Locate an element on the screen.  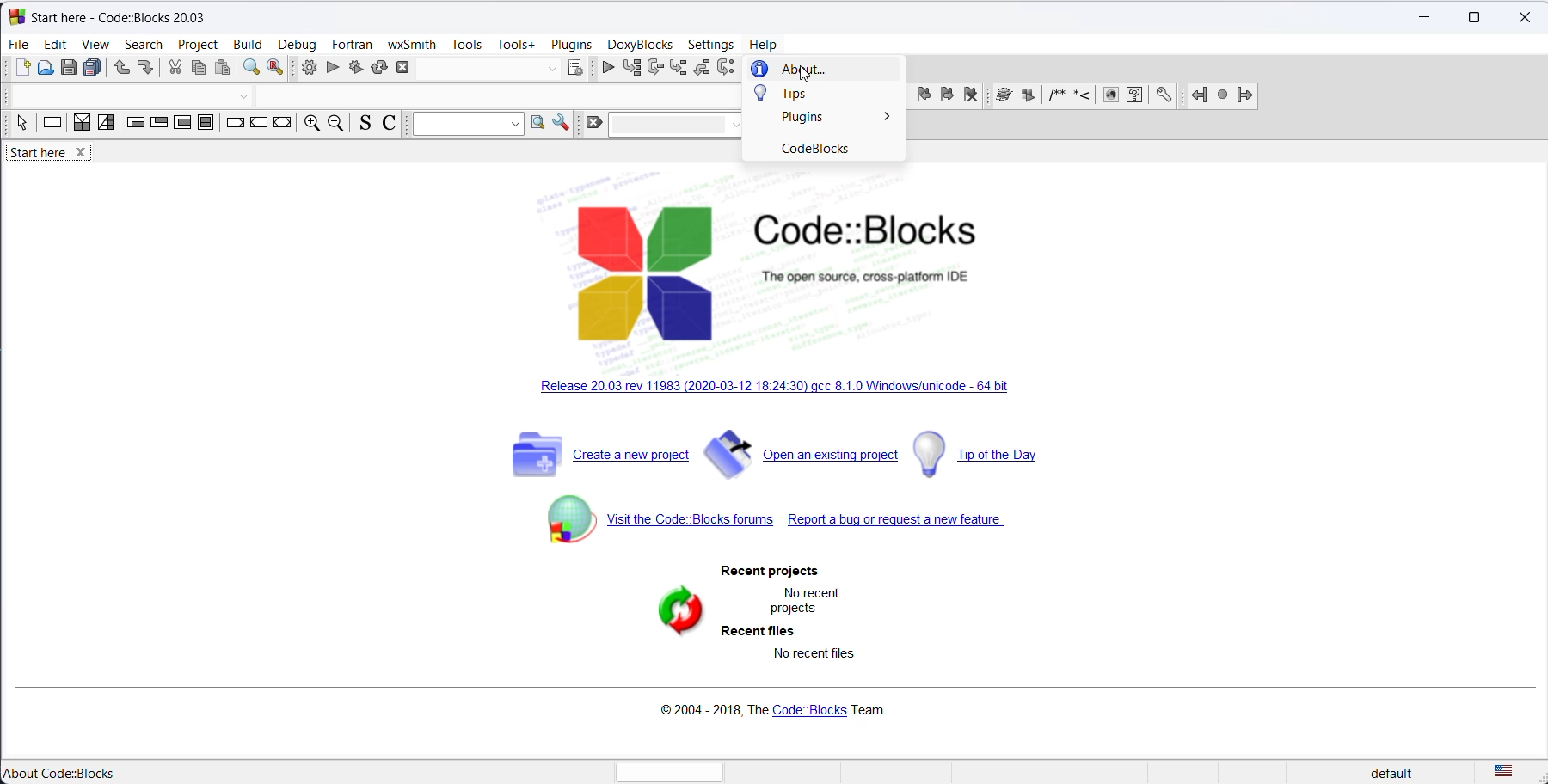
decision is located at coordinates (77, 125).